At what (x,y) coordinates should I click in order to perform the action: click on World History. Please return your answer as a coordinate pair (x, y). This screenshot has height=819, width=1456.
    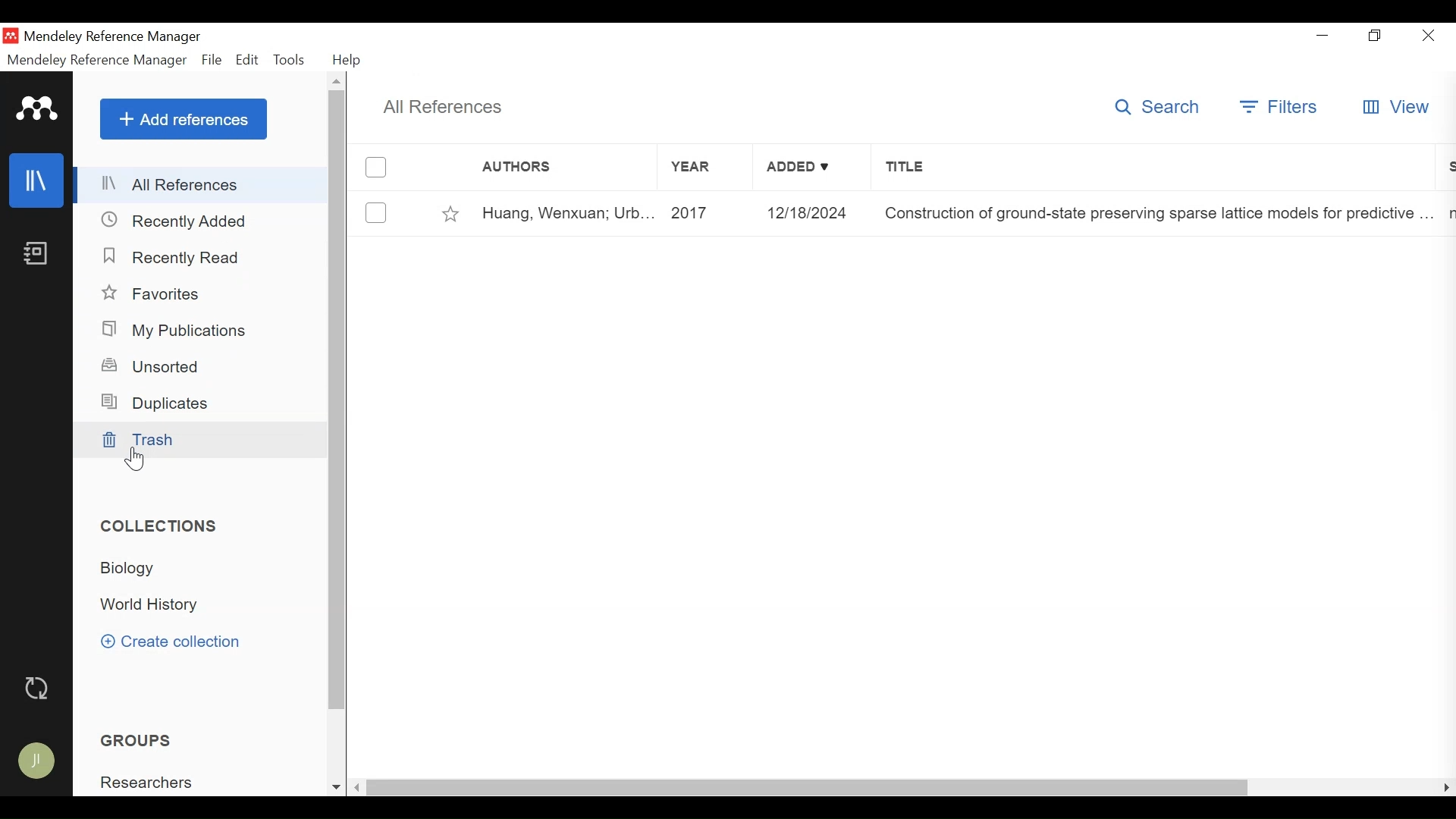
    Looking at the image, I should click on (158, 607).